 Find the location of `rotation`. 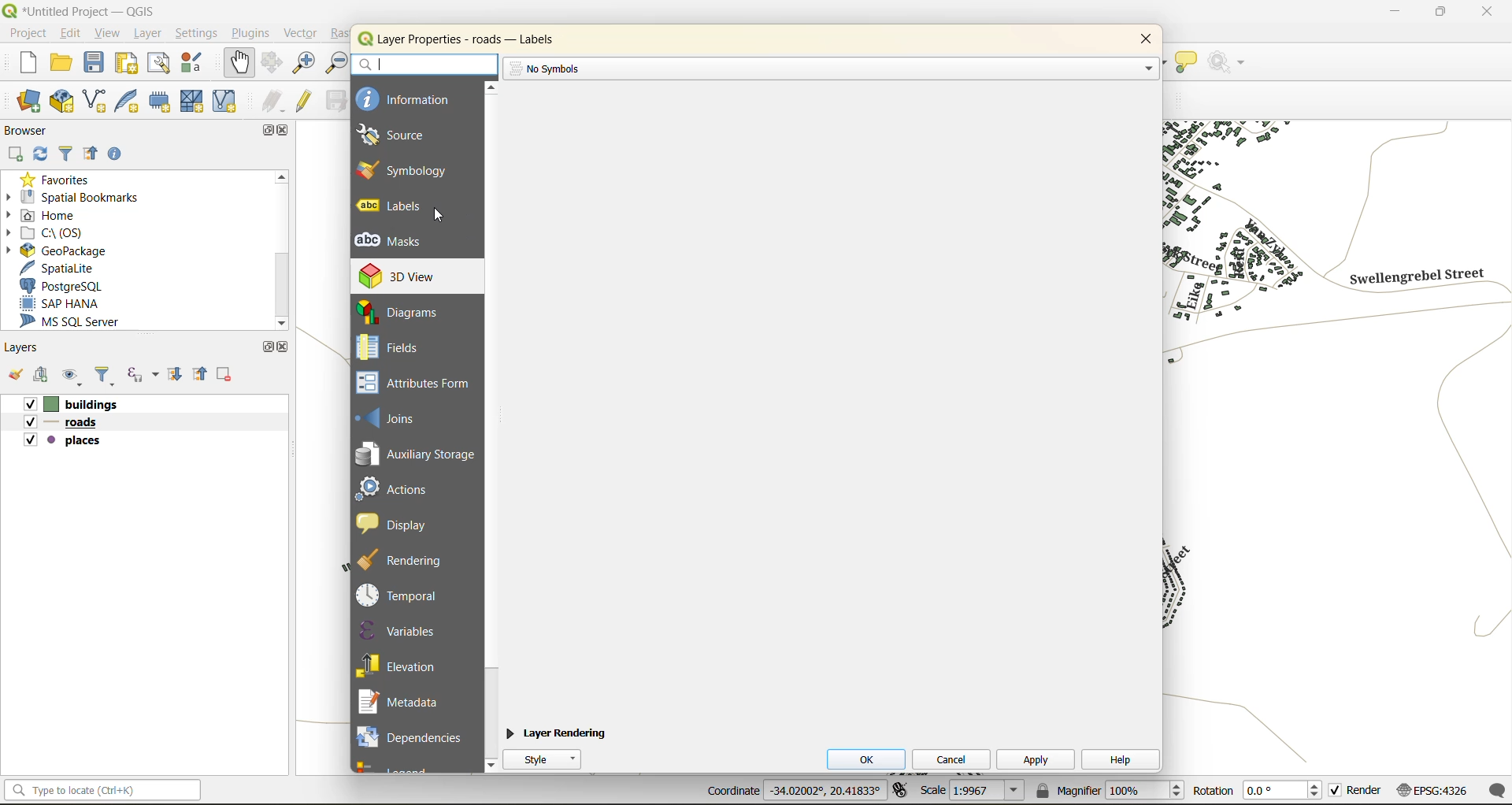

rotation is located at coordinates (1254, 789).